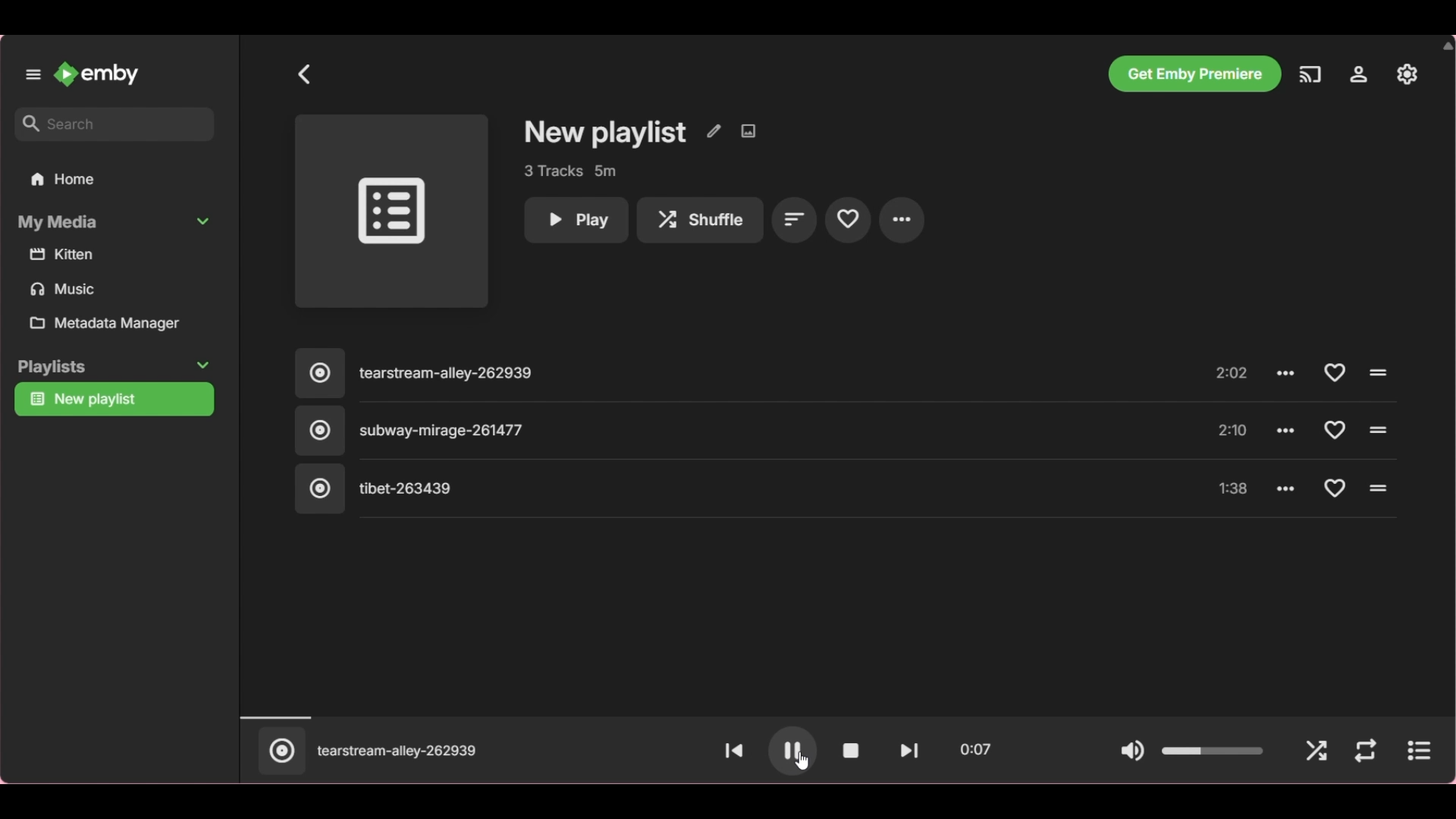 This screenshot has height=819, width=1456. What do you see at coordinates (118, 323) in the screenshot?
I see `Metadata manager` at bounding box center [118, 323].